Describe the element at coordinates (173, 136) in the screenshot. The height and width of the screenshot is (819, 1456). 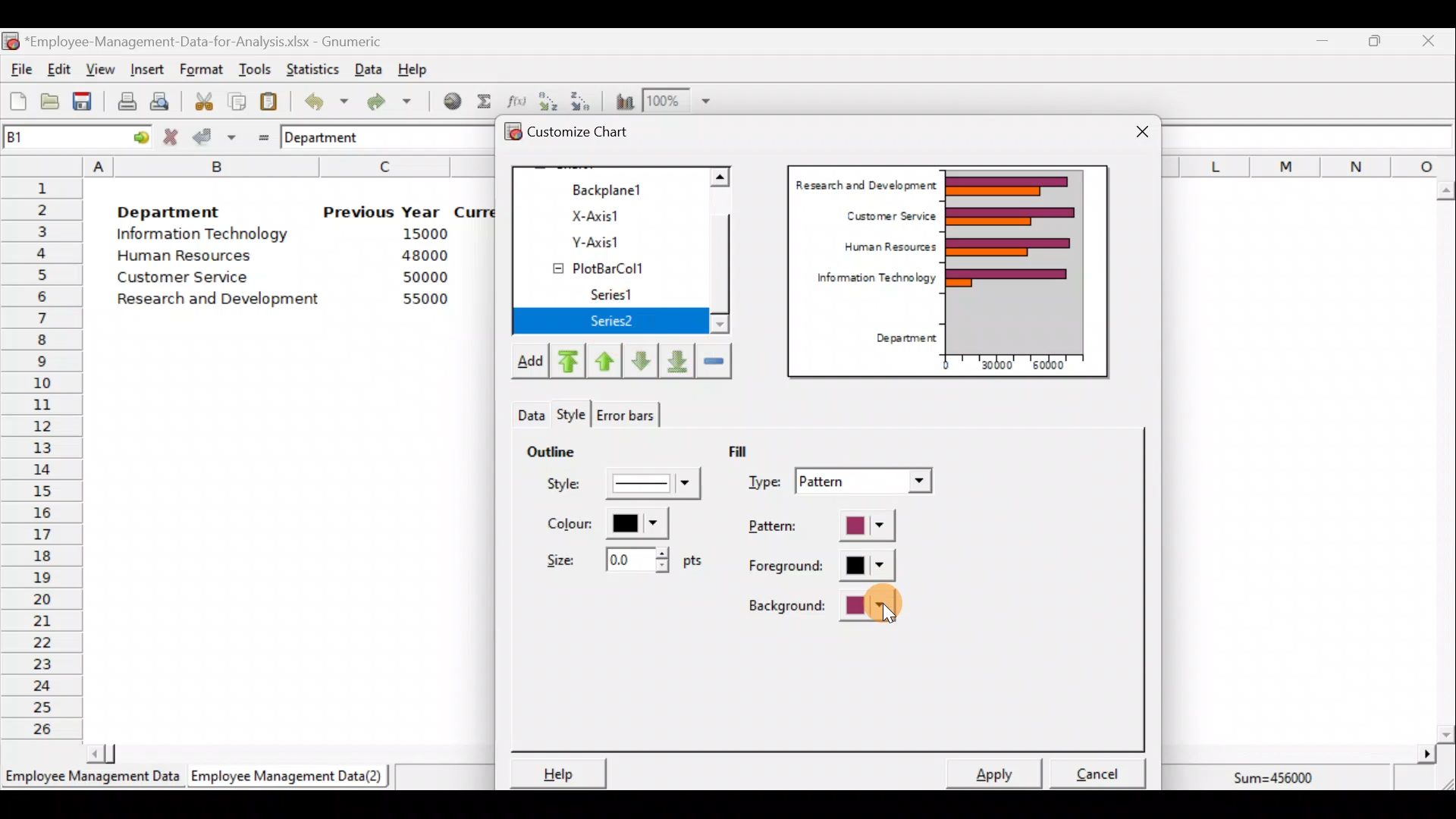
I see `Cancel change` at that location.